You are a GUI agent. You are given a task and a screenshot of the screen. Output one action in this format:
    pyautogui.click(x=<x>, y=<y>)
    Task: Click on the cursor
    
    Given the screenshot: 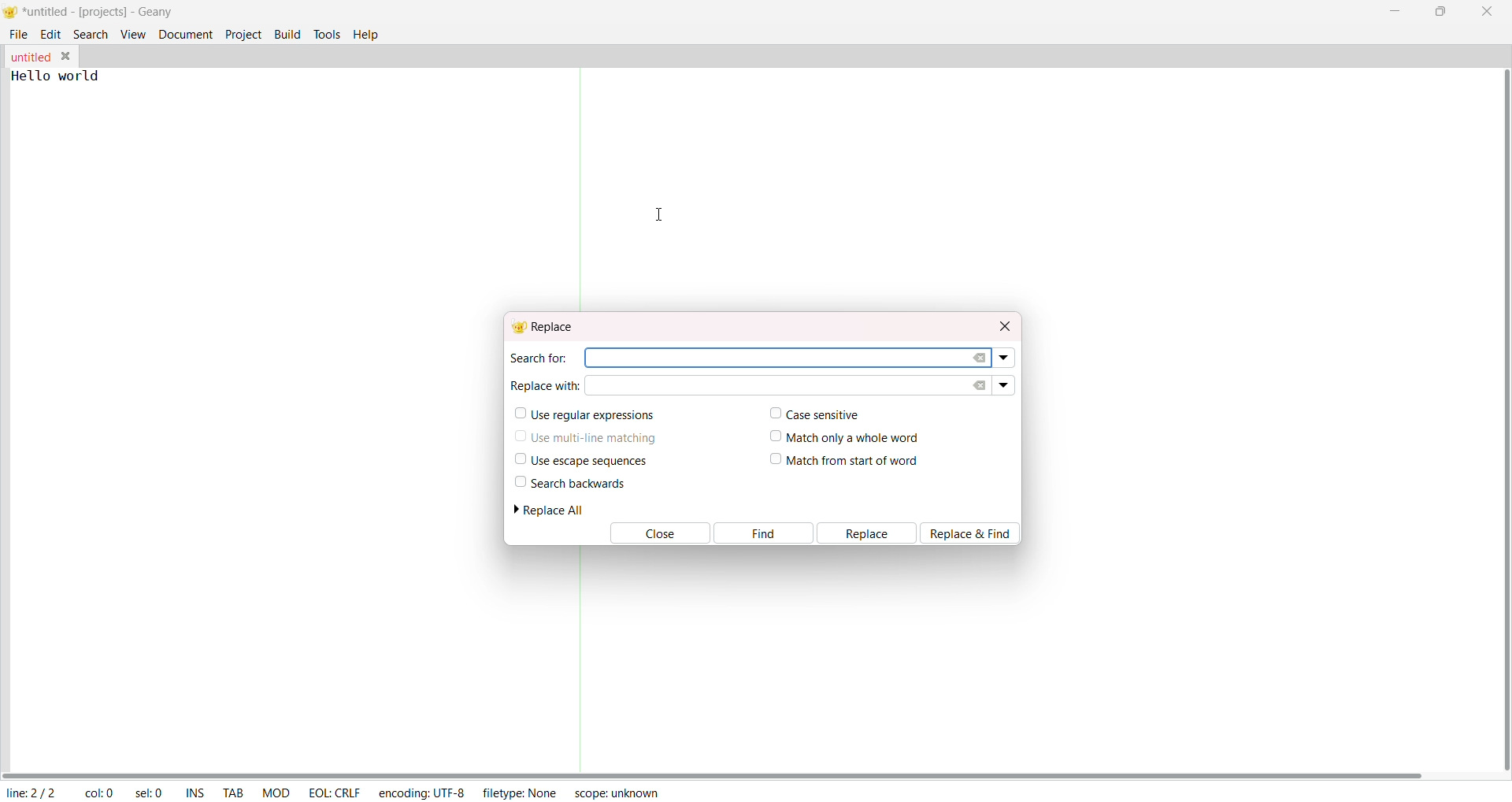 What is the action you would take?
    pyautogui.click(x=660, y=217)
    